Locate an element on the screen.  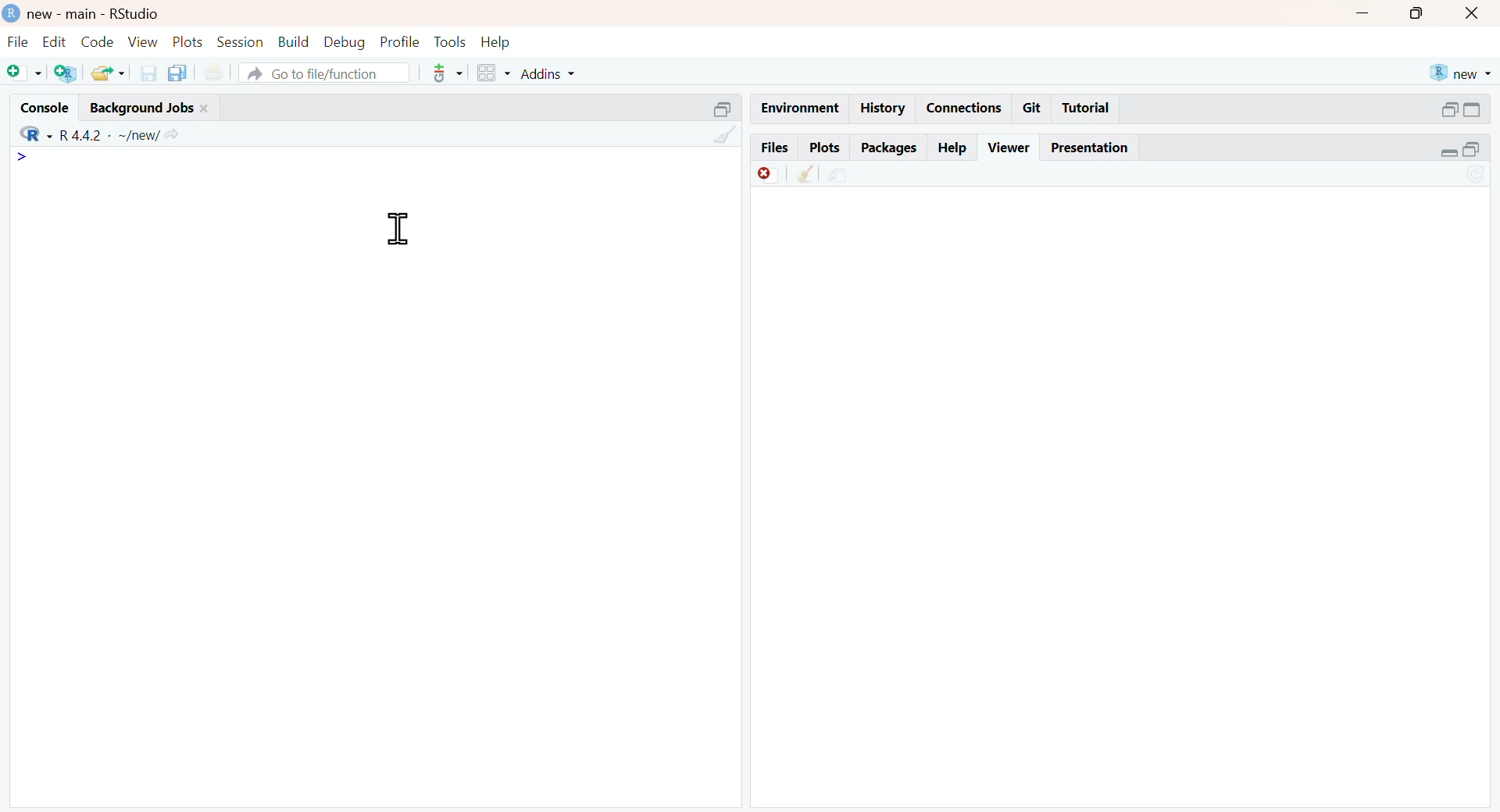
Connections is located at coordinates (962, 106).